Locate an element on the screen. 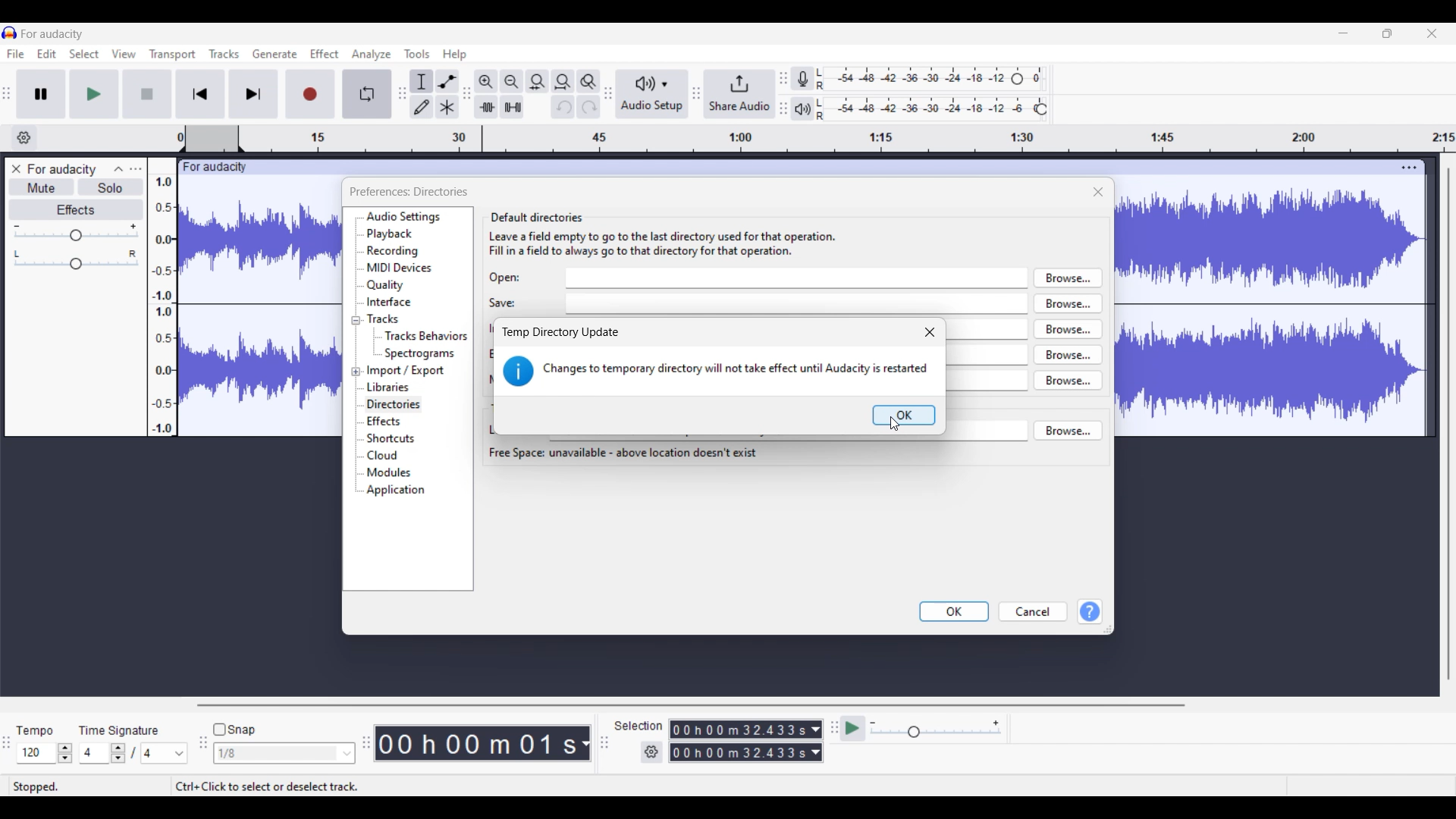  Close interface is located at coordinates (1432, 33).